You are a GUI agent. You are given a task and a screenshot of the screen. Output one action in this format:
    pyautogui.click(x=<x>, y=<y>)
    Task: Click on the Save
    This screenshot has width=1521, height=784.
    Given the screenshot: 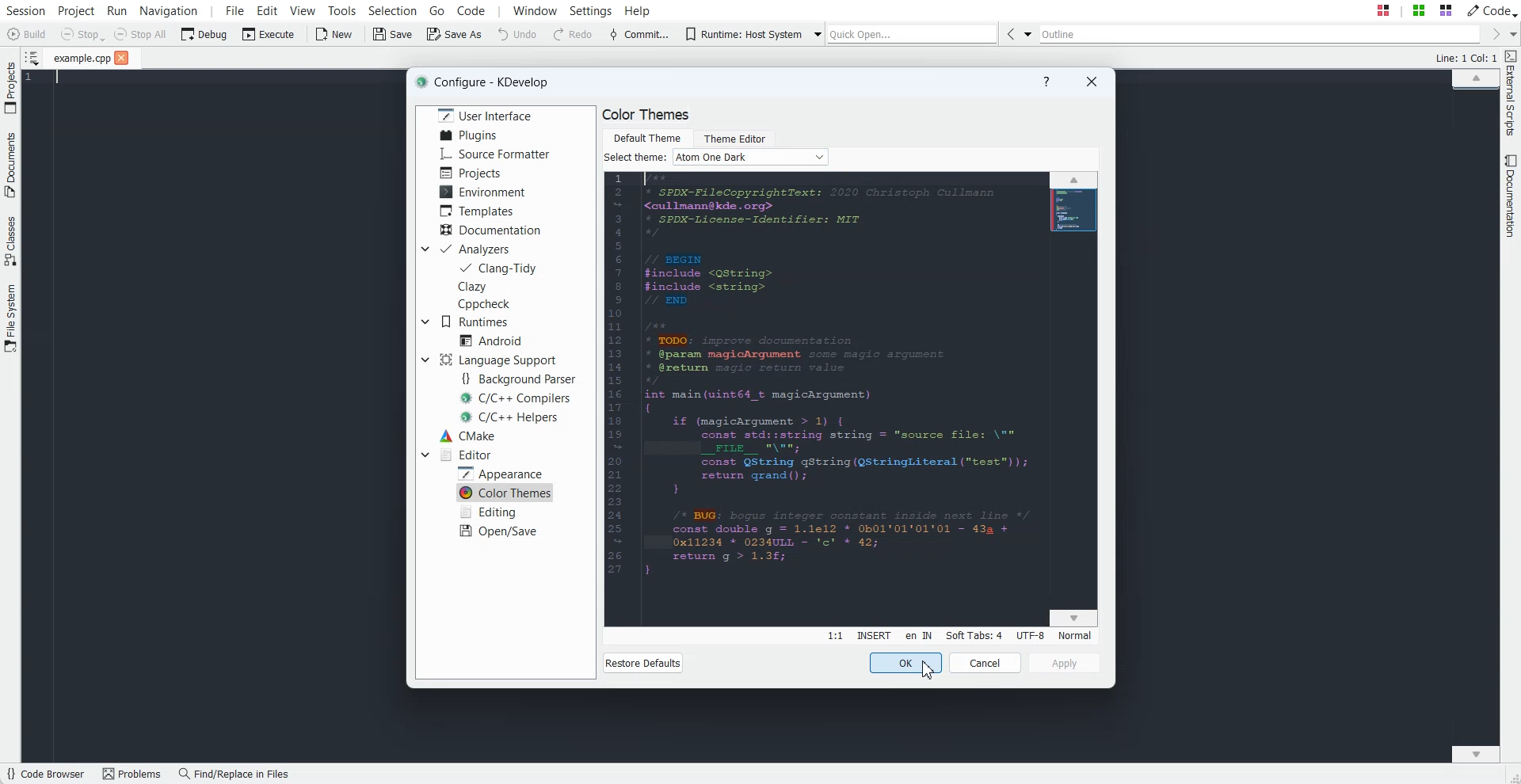 What is the action you would take?
    pyautogui.click(x=393, y=35)
    